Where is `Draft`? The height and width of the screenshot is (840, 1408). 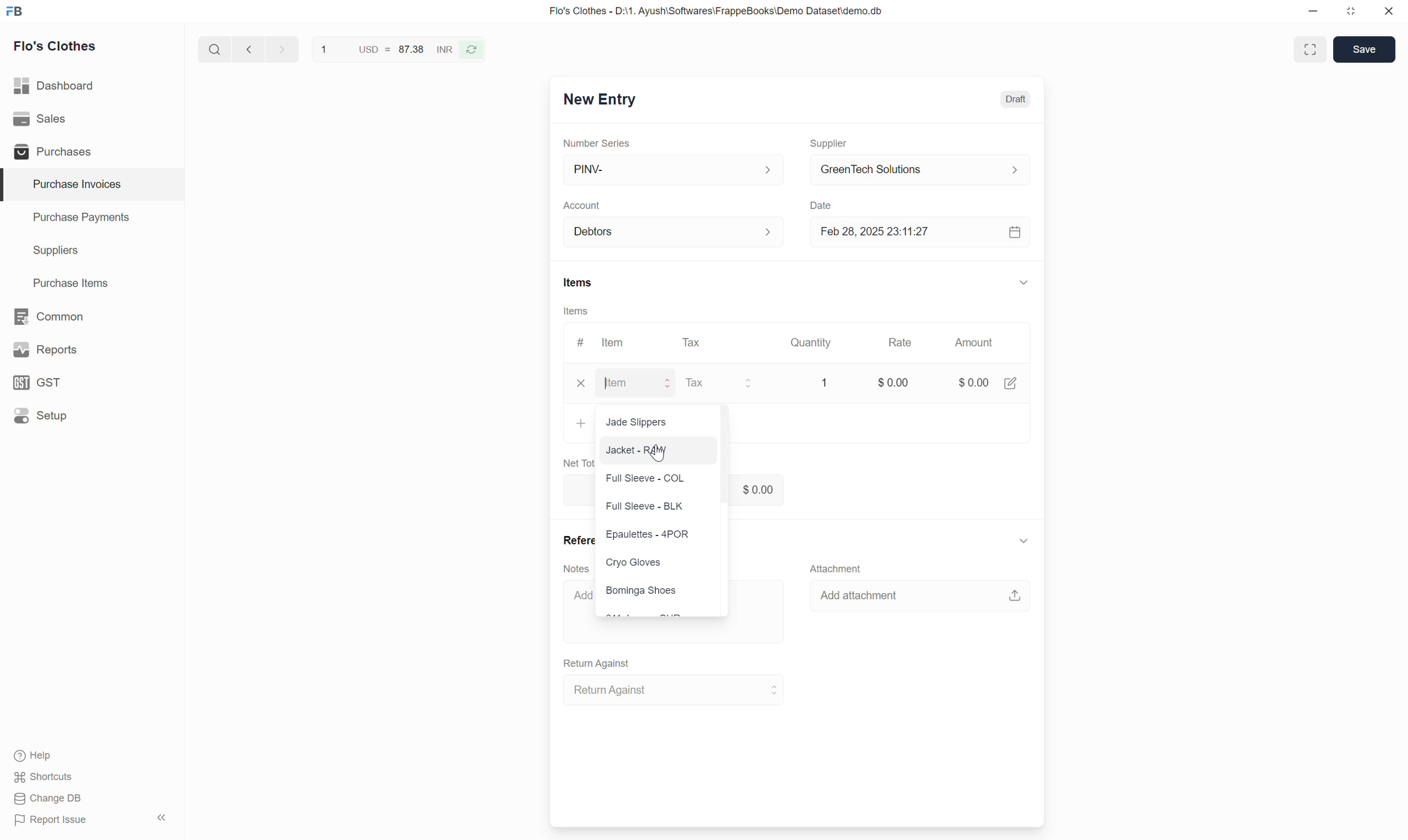
Draft is located at coordinates (1016, 99).